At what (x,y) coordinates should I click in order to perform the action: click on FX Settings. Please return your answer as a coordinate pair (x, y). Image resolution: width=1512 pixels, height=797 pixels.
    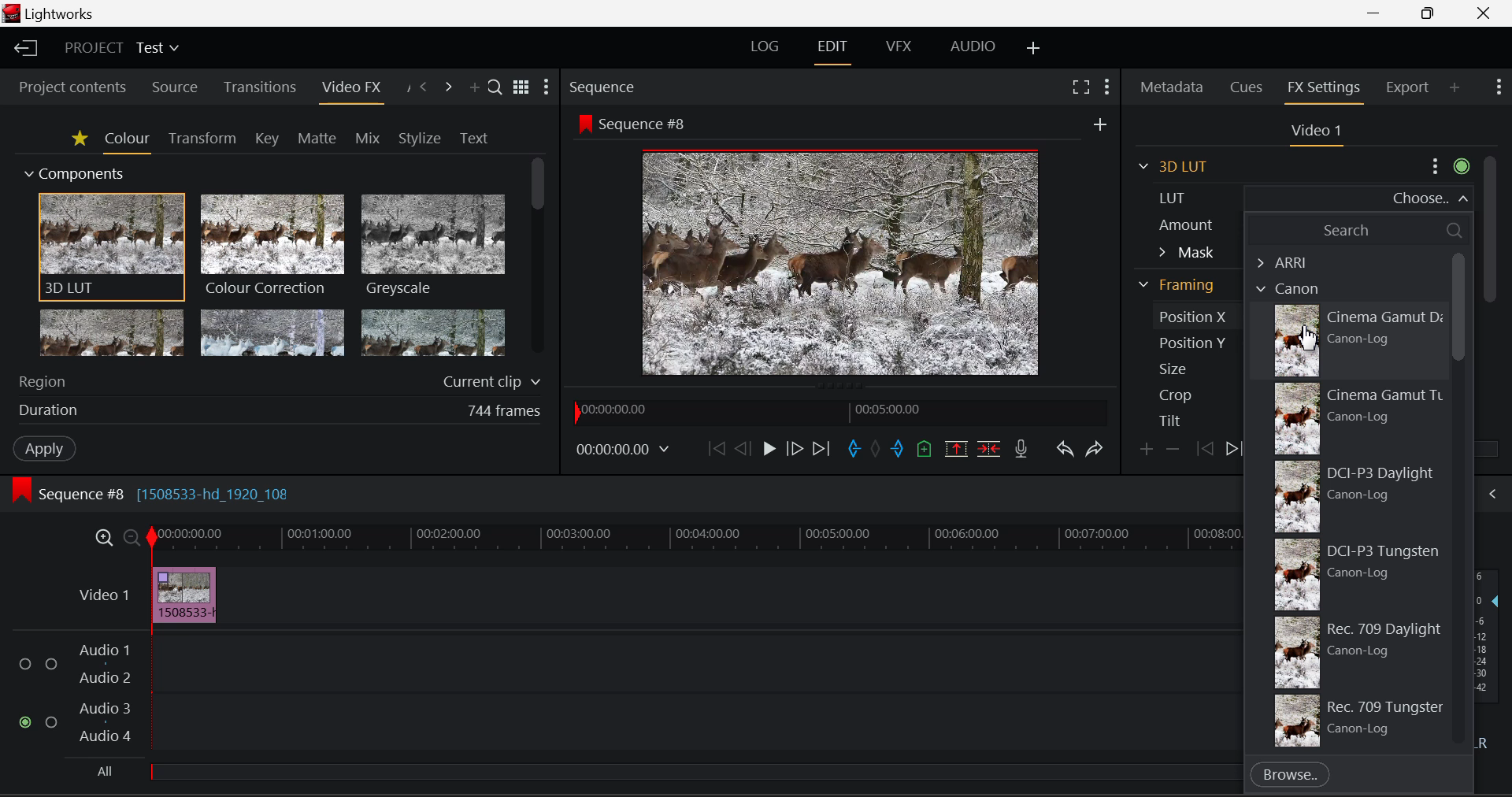
    Looking at the image, I should click on (1322, 91).